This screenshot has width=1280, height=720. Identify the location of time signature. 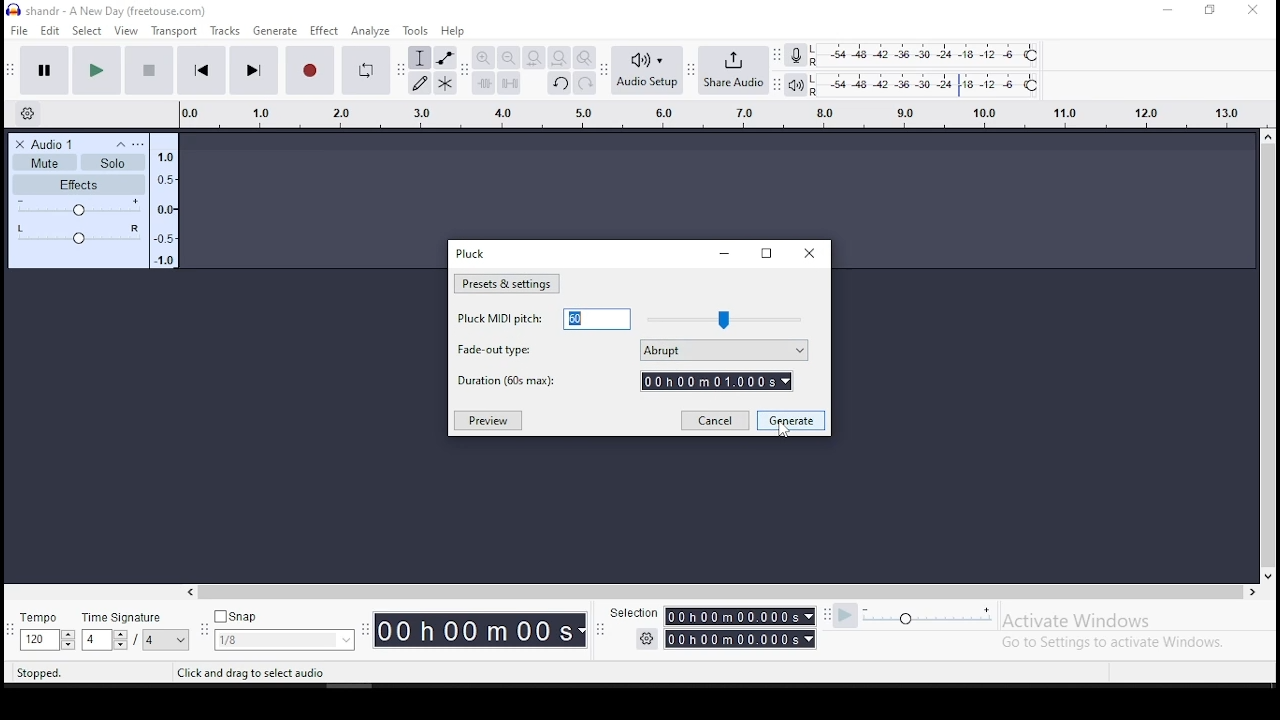
(135, 627).